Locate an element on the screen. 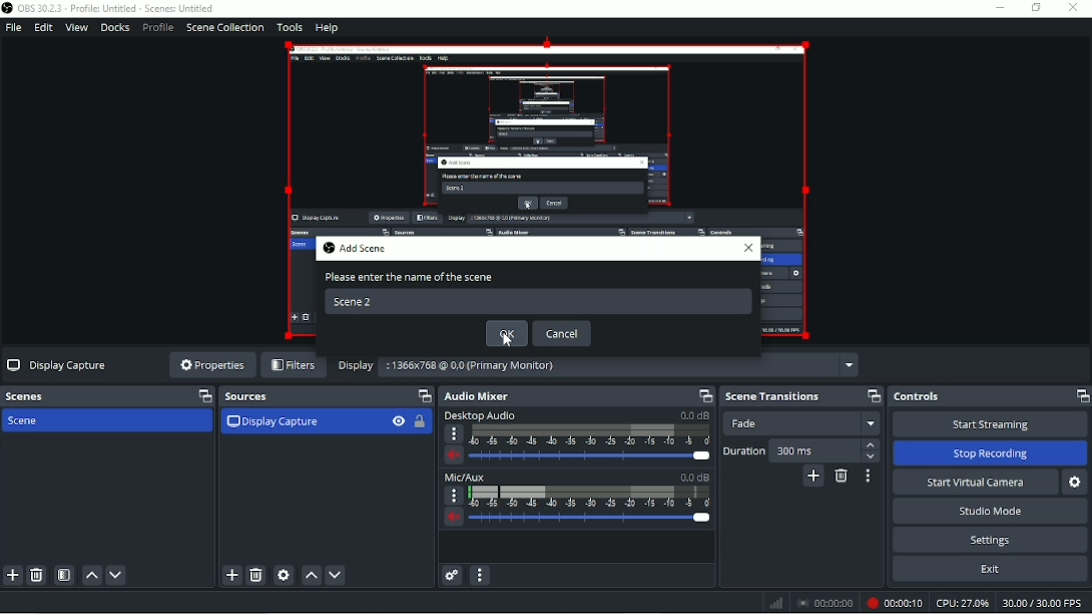 The height and width of the screenshot is (614, 1092). Remove configurable transition is located at coordinates (841, 478).